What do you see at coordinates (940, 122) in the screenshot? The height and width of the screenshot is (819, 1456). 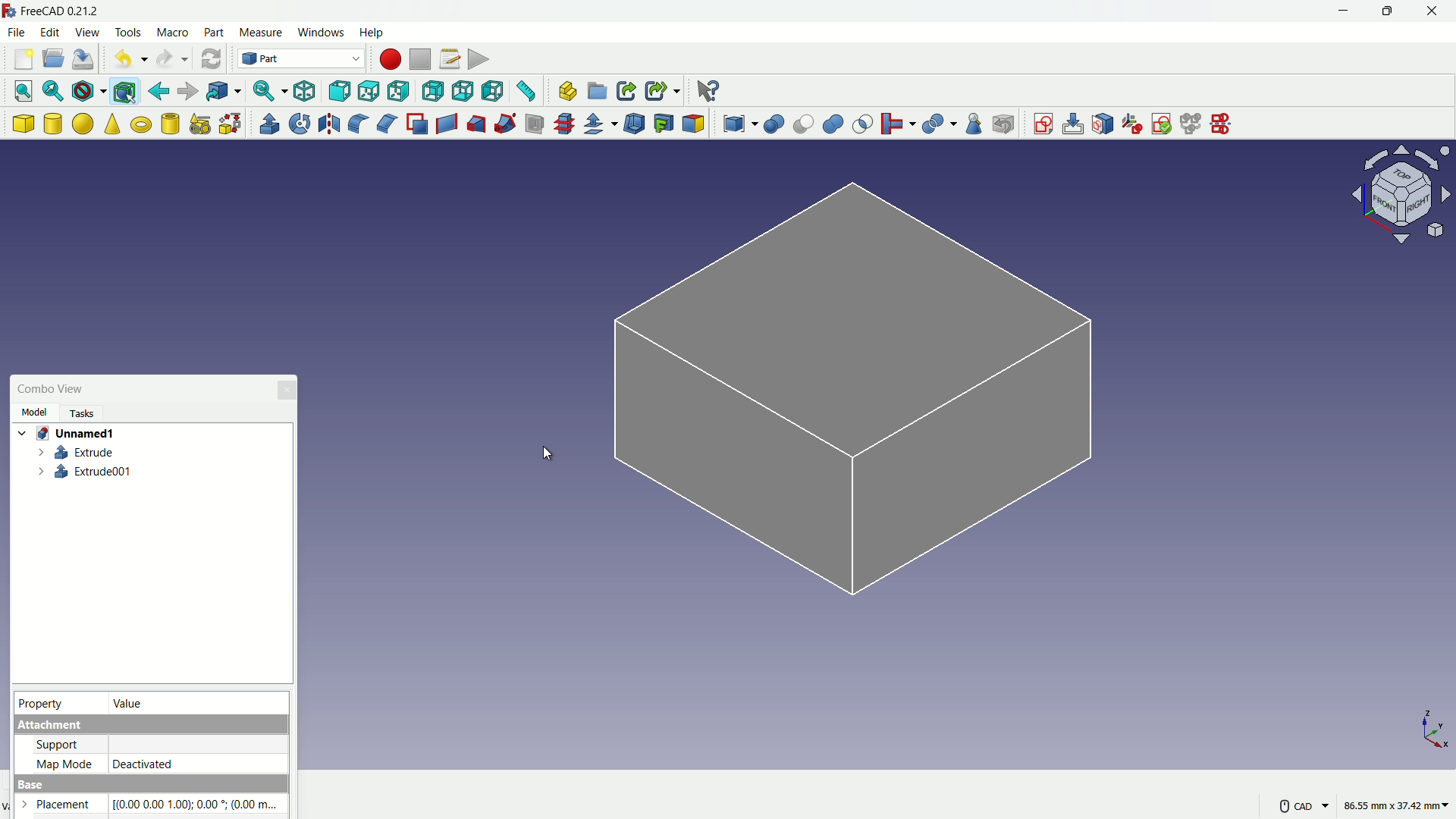 I see `split object` at bounding box center [940, 122].